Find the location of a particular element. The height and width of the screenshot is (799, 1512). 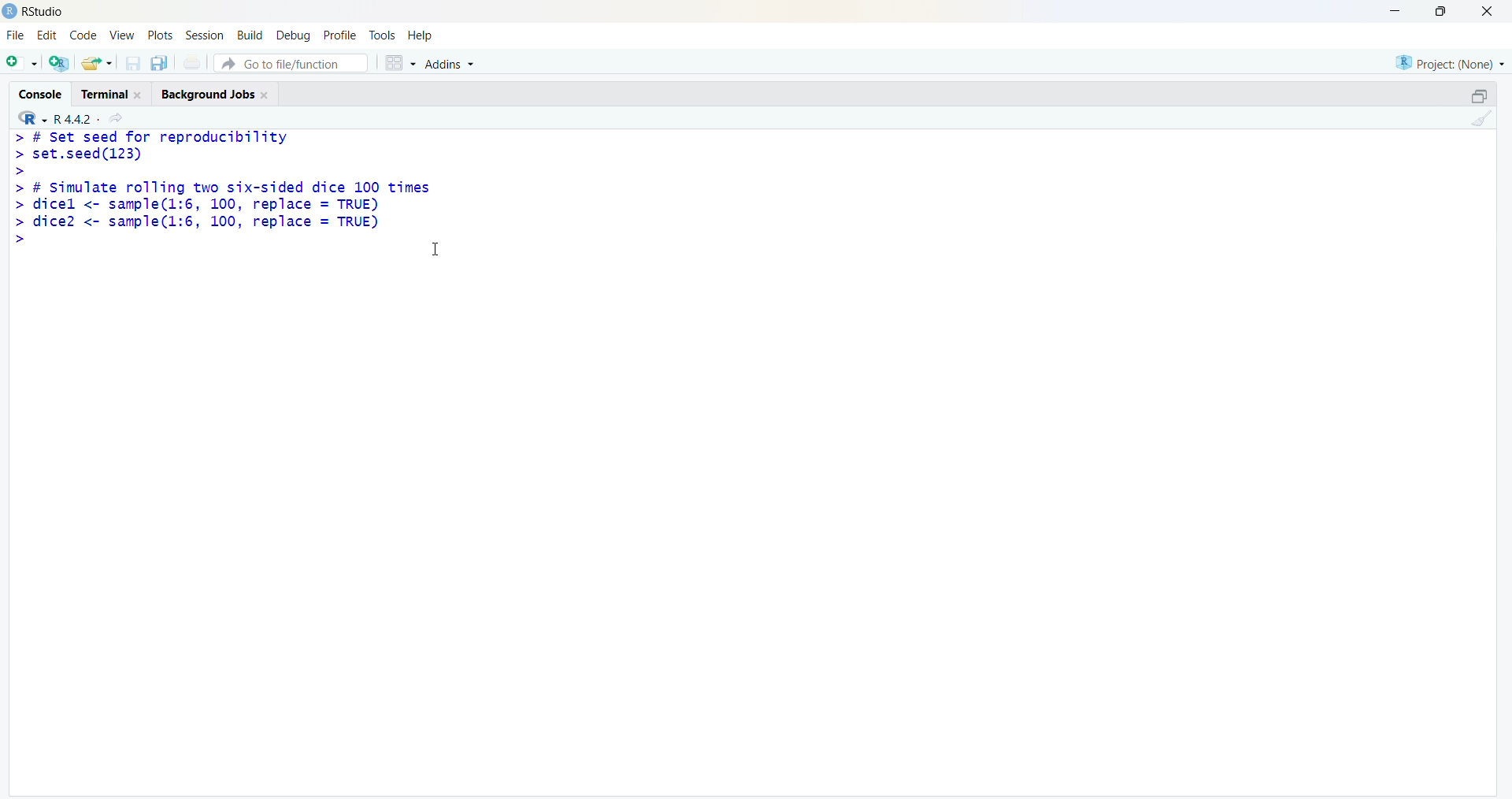

build is located at coordinates (249, 36).